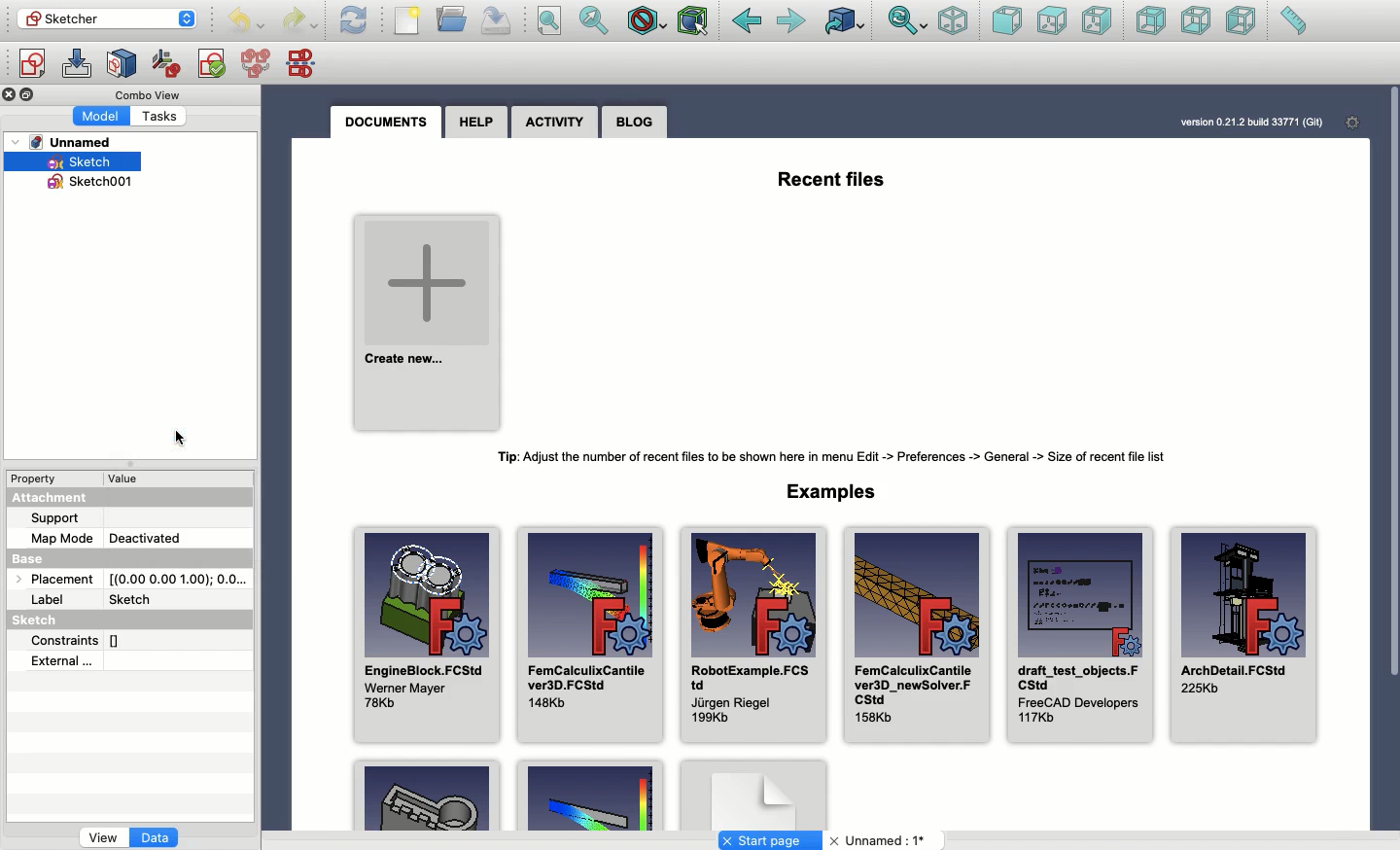 The width and height of the screenshot is (1400, 850). I want to click on Fit all, so click(548, 21).